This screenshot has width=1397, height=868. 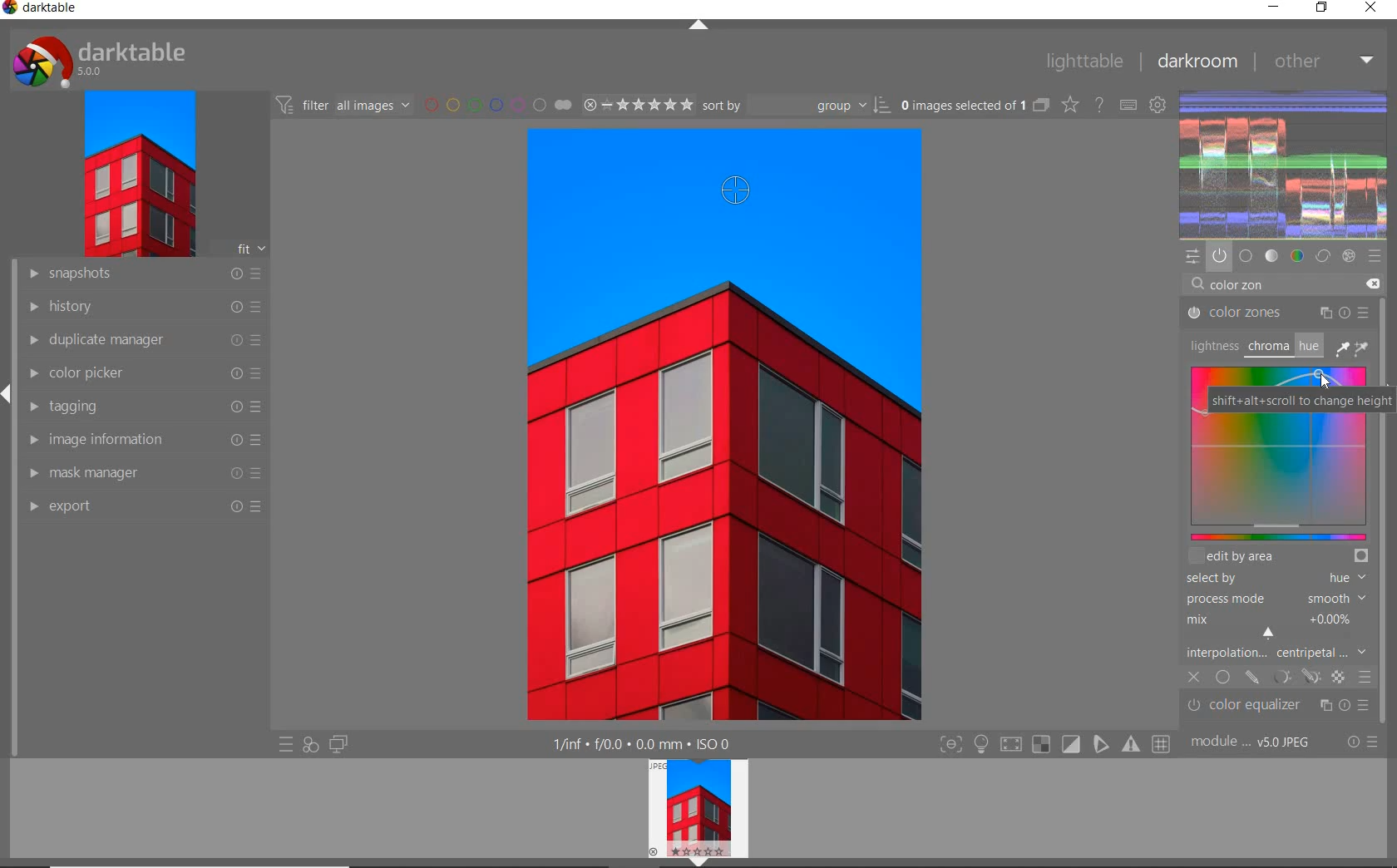 What do you see at coordinates (699, 26) in the screenshot?
I see `expand/collapse` at bounding box center [699, 26].